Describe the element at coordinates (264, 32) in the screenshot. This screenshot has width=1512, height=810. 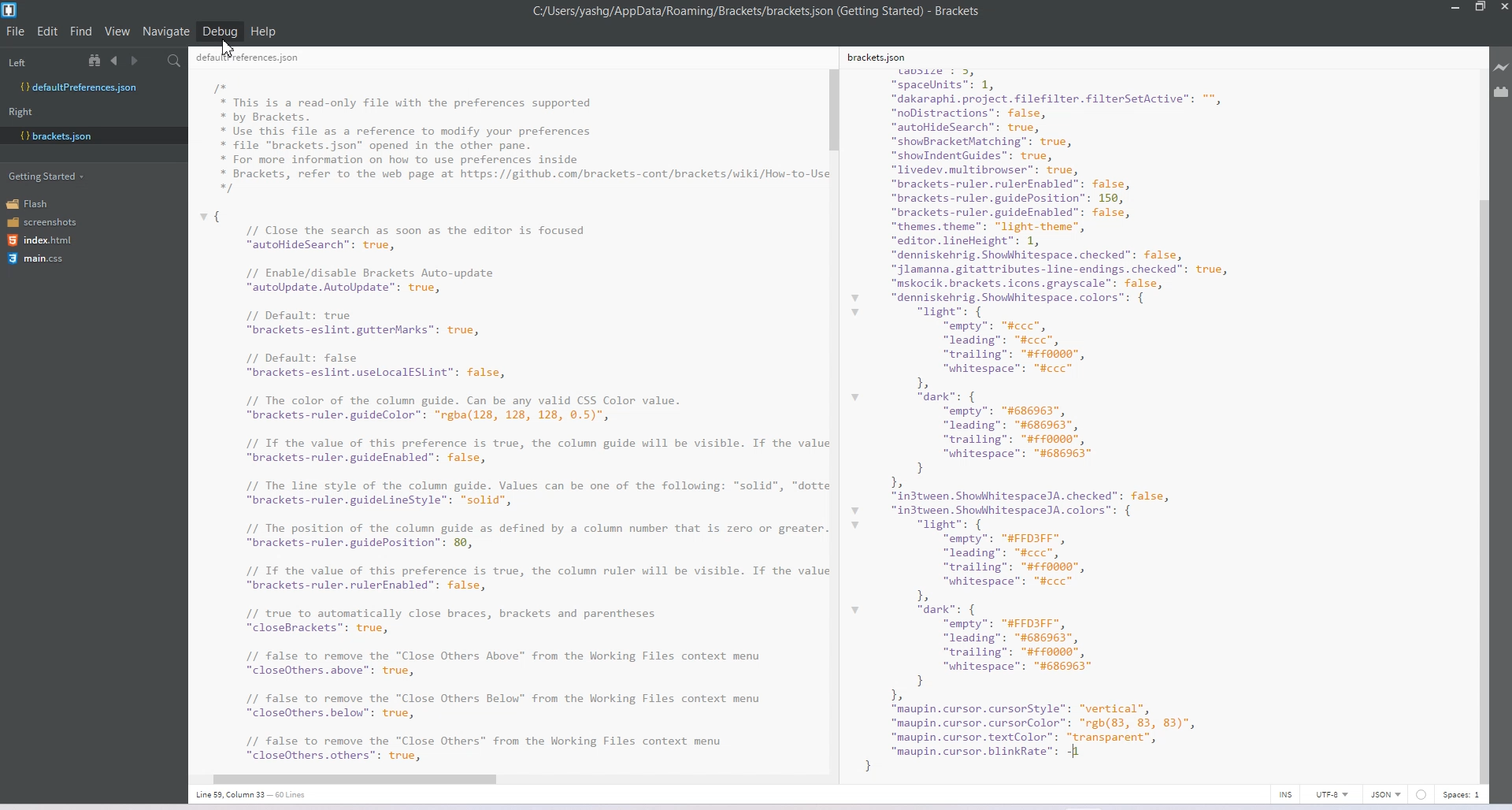
I see `Help` at that location.